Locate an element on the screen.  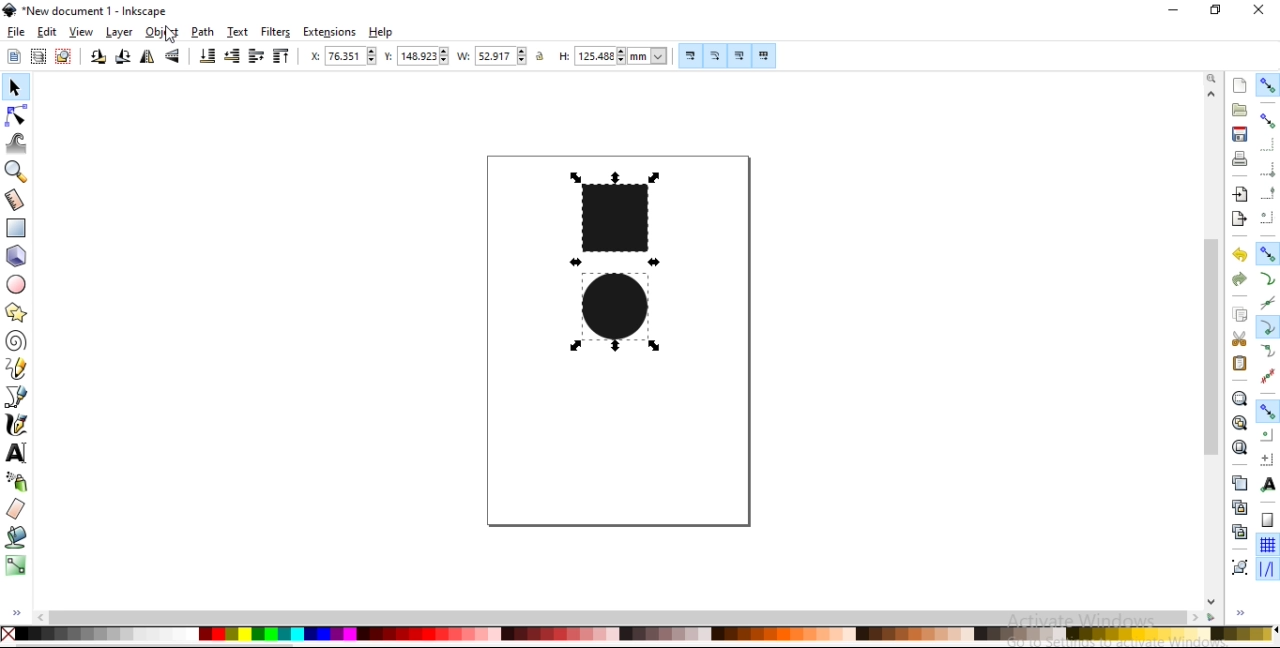
save document is located at coordinates (1239, 133).